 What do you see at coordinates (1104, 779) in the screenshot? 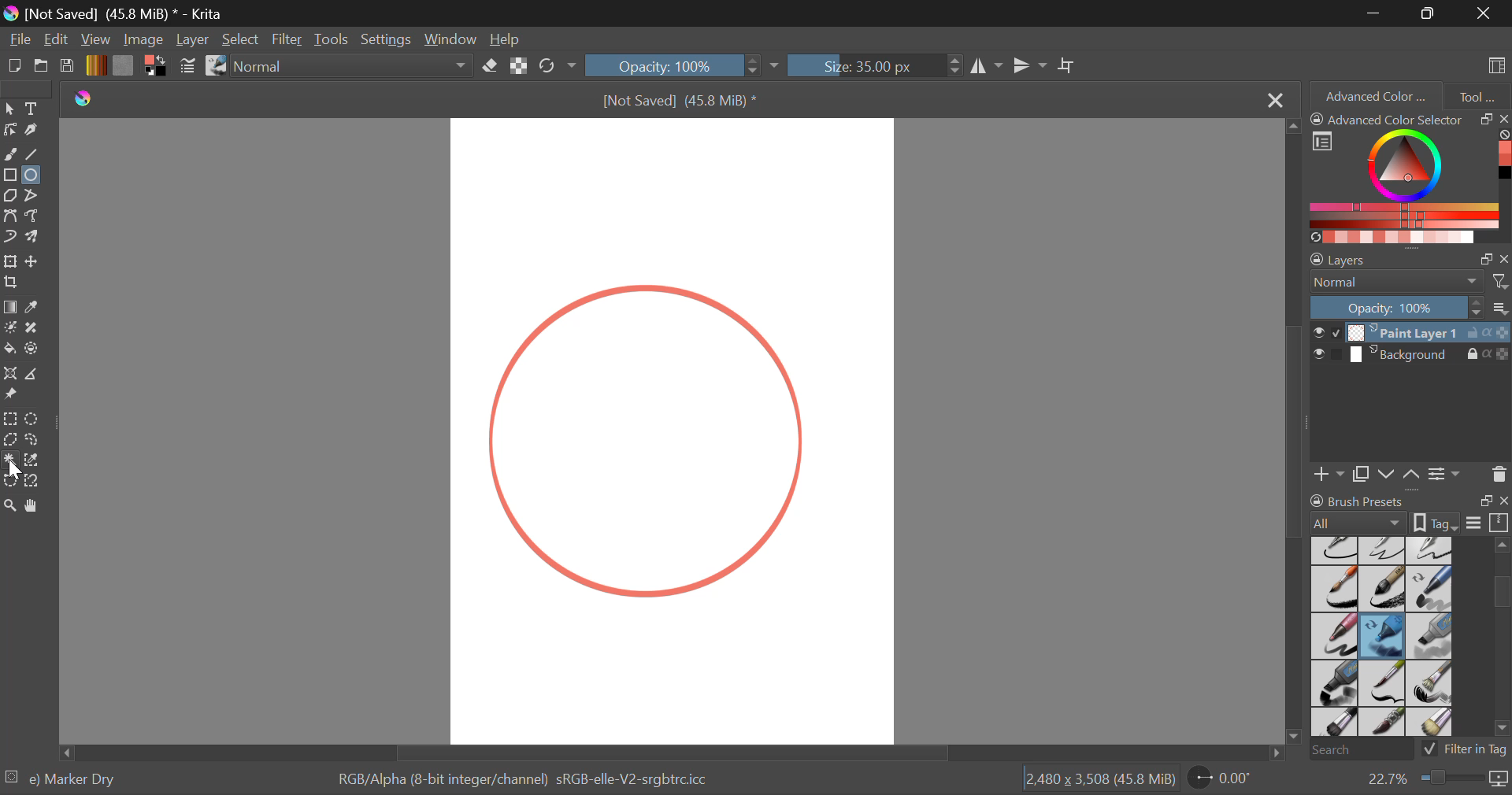
I see `Page Dimensions` at bounding box center [1104, 779].